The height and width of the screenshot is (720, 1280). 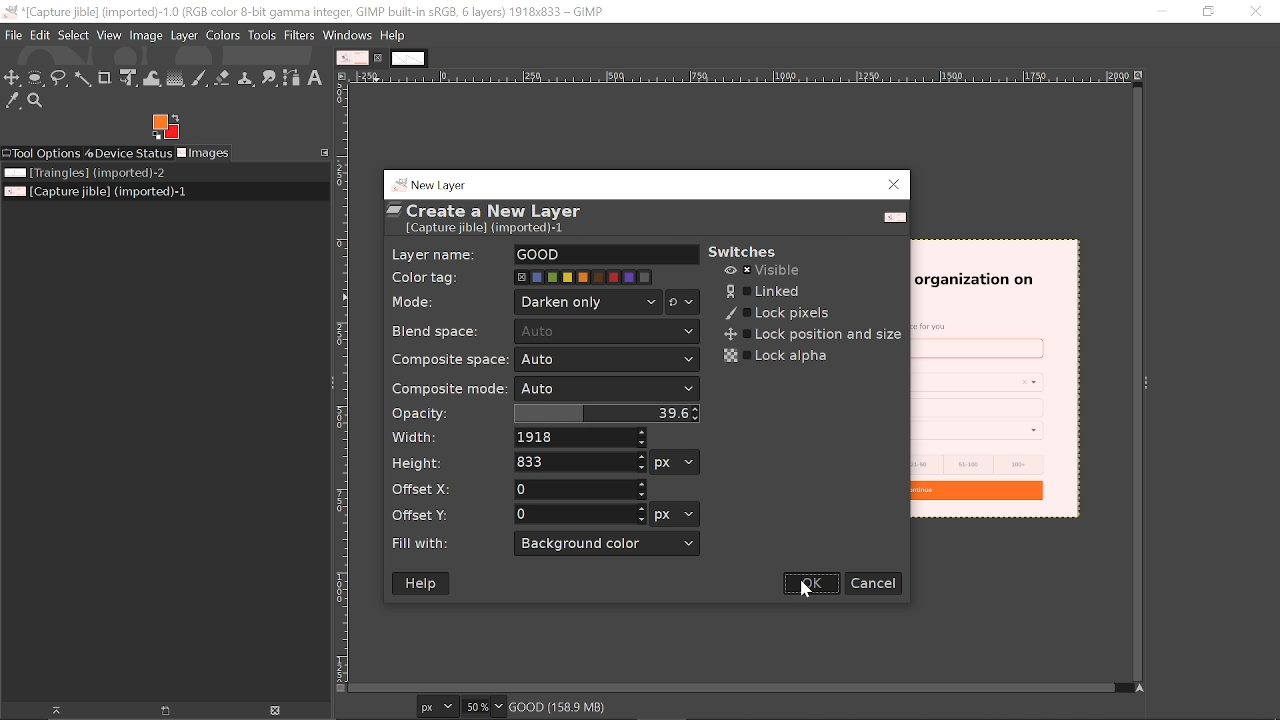 What do you see at coordinates (606, 361) in the screenshot?
I see `Composite space` at bounding box center [606, 361].